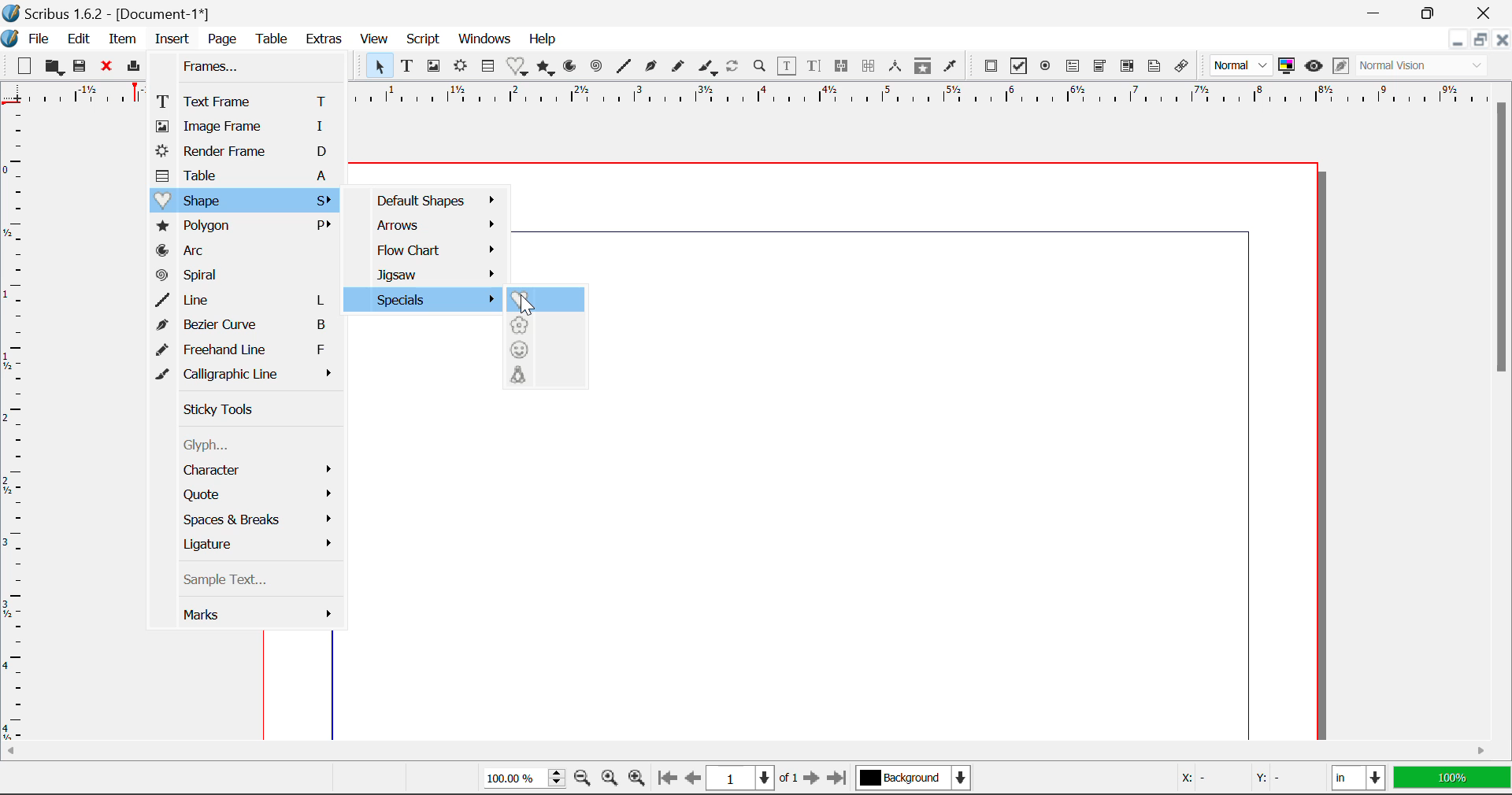 Image resolution: width=1512 pixels, height=795 pixels. What do you see at coordinates (375, 41) in the screenshot?
I see `View` at bounding box center [375, 41].